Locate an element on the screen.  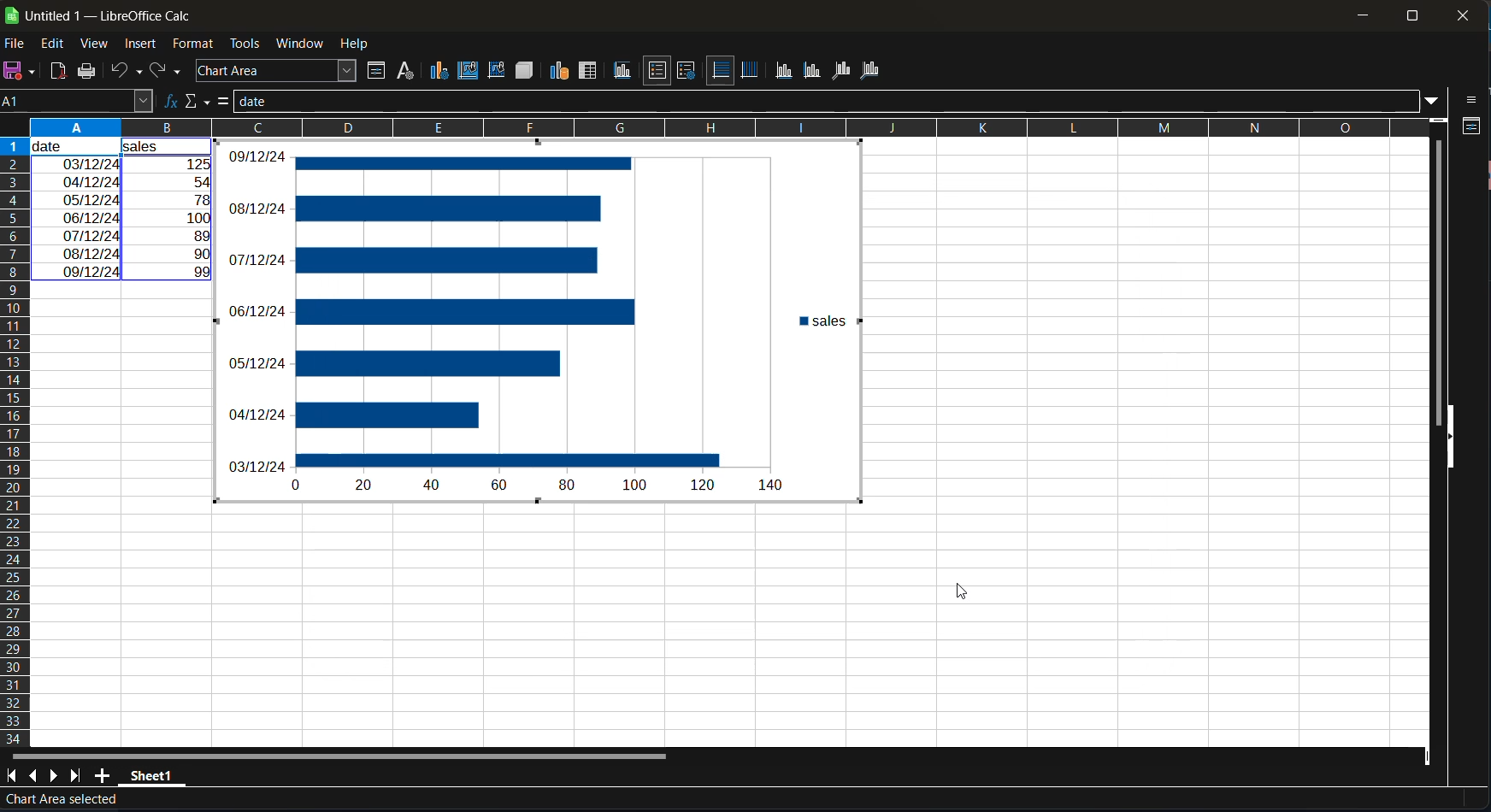
expand formula bar is located at coordinates (1434, 102).